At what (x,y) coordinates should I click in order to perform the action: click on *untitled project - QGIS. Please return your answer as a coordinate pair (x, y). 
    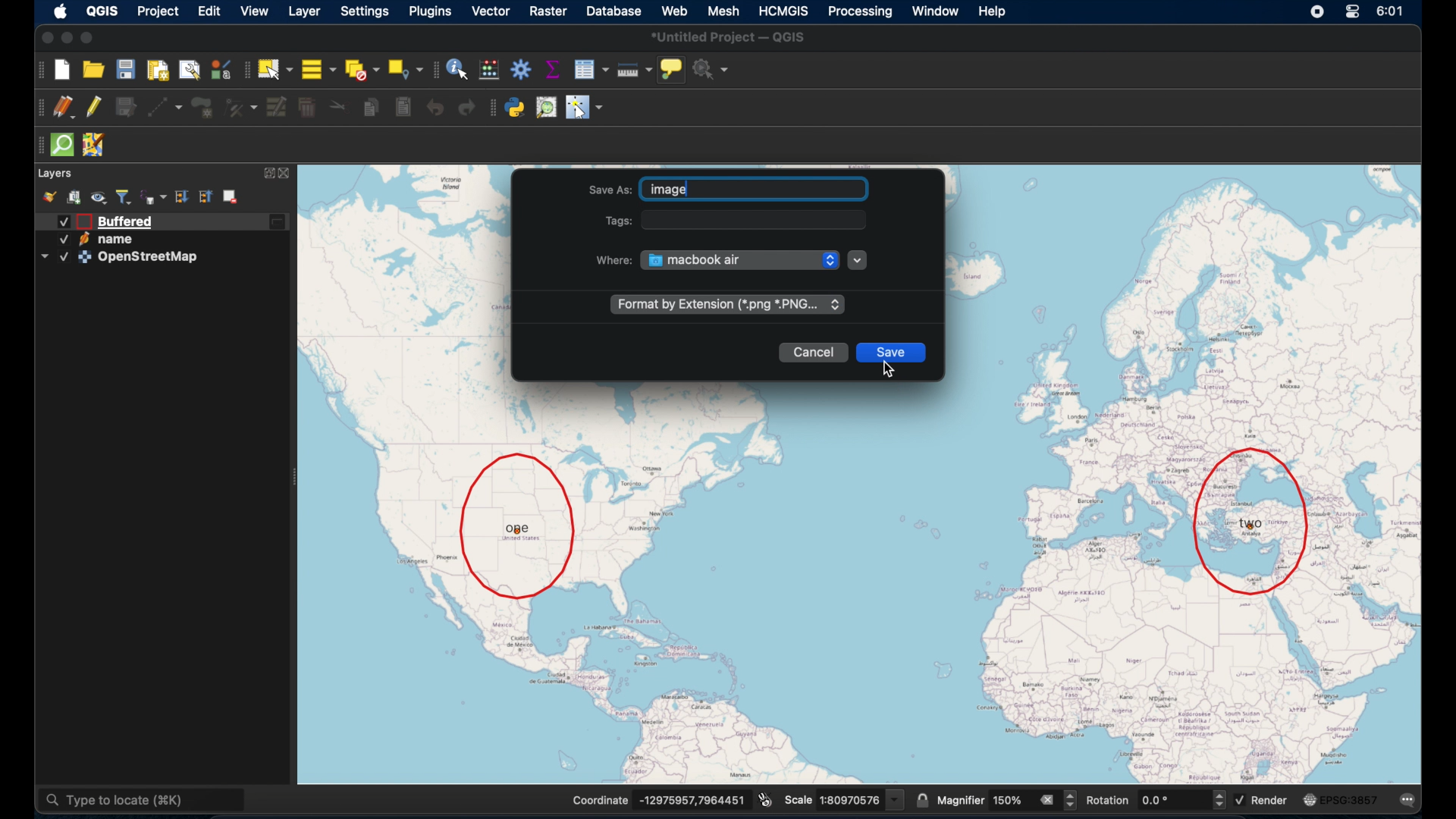
    Looking at the image, I should click on (732, 37).